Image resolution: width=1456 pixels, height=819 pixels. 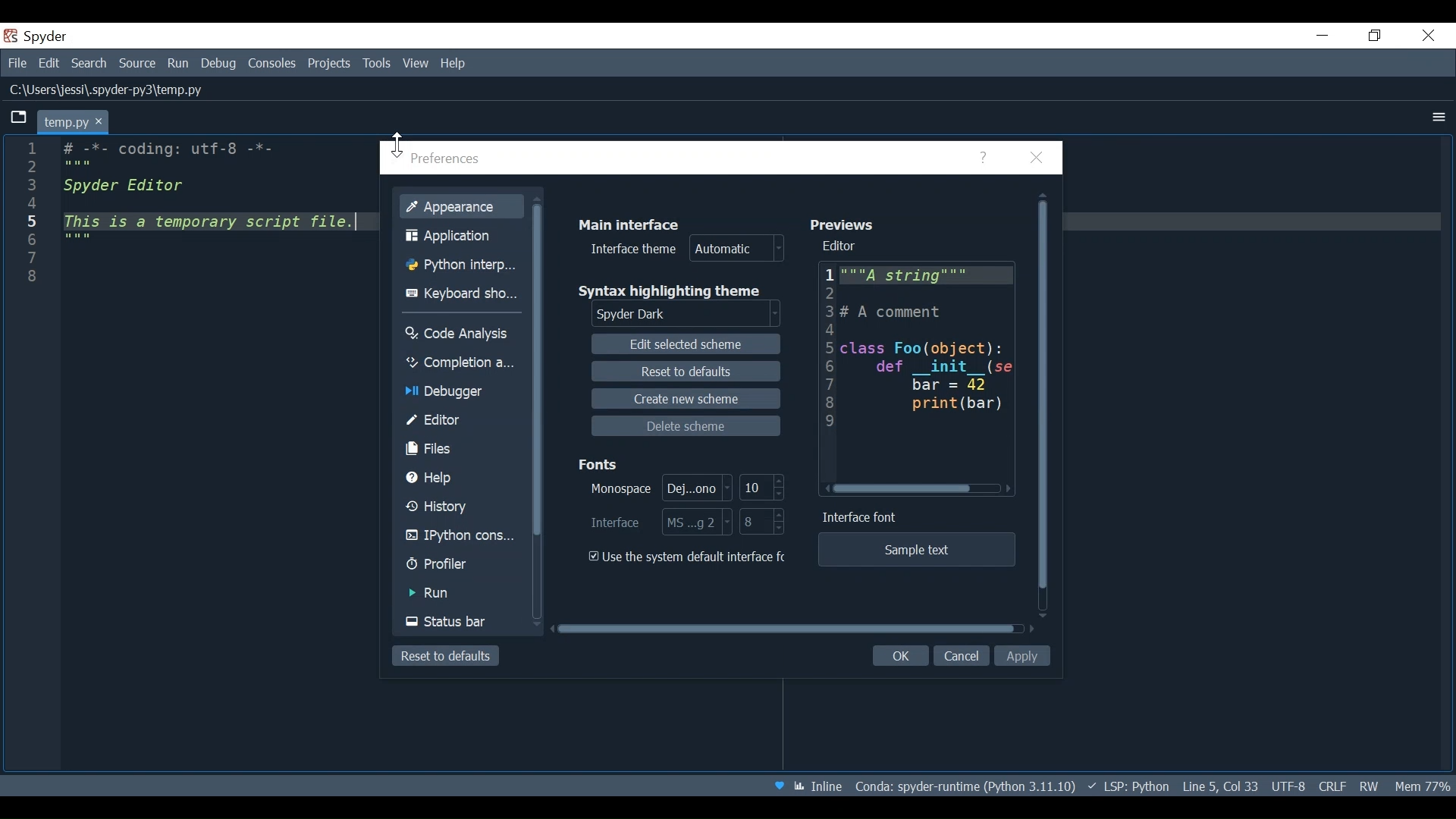 What do you see at coordinates (1376, 36) in the screenshot?
I see `Restore` at bounding box center [1376, 36].